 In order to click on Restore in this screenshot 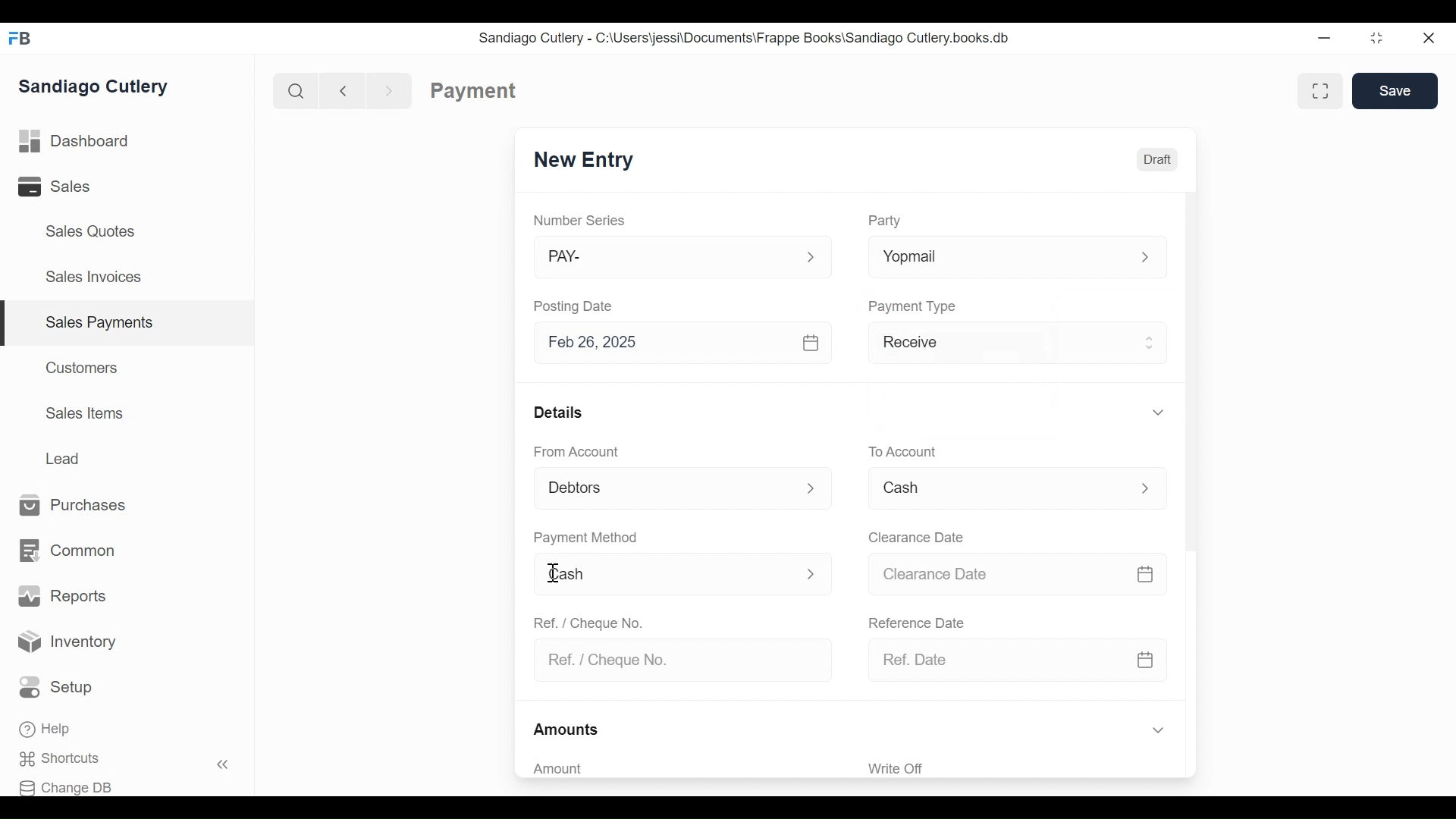, I will do `click(1376, 39)`.